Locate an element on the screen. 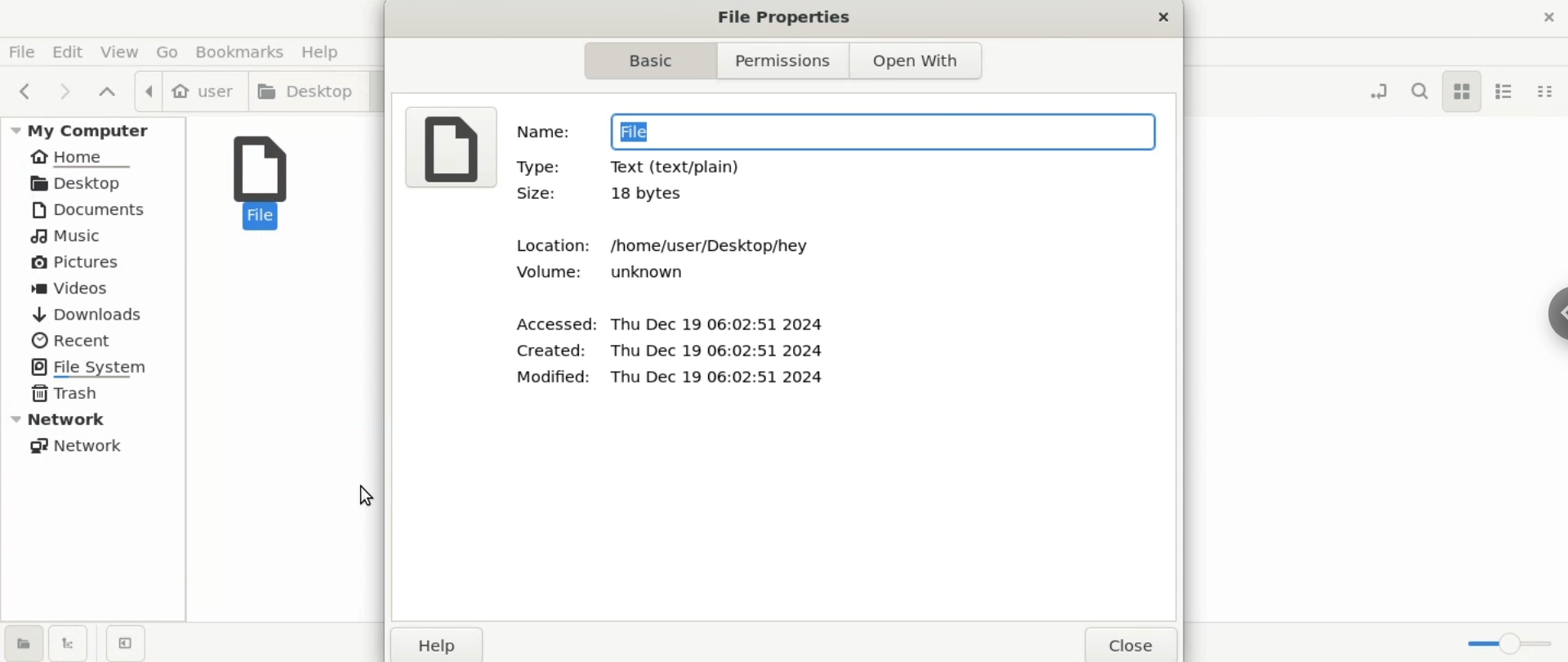 This screenshot has height=662, width=1568. close is located at coordinates (1164, 17).